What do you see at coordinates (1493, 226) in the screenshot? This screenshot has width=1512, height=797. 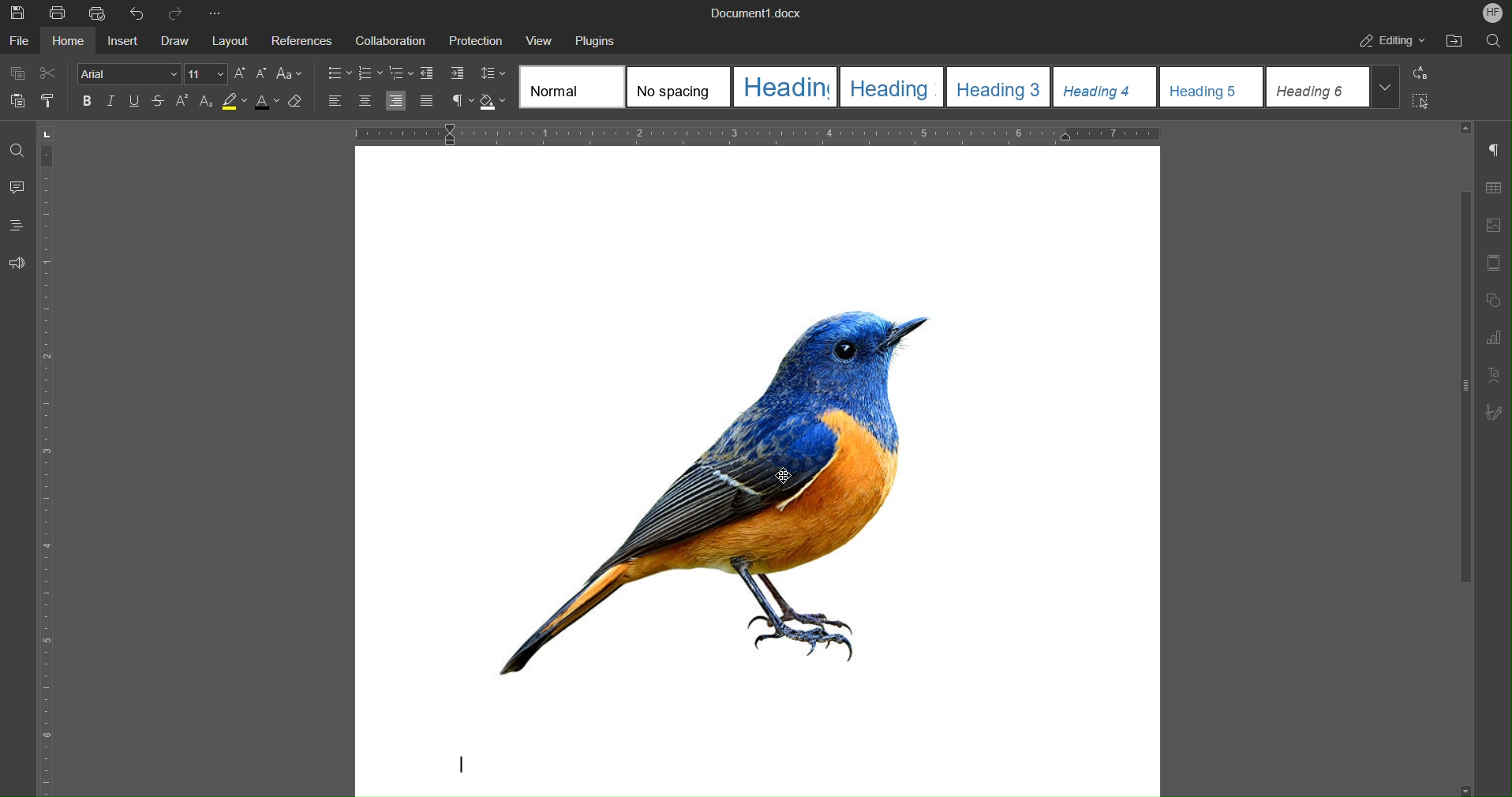 I see `Image Settings` at bounding box center [1493, 226].